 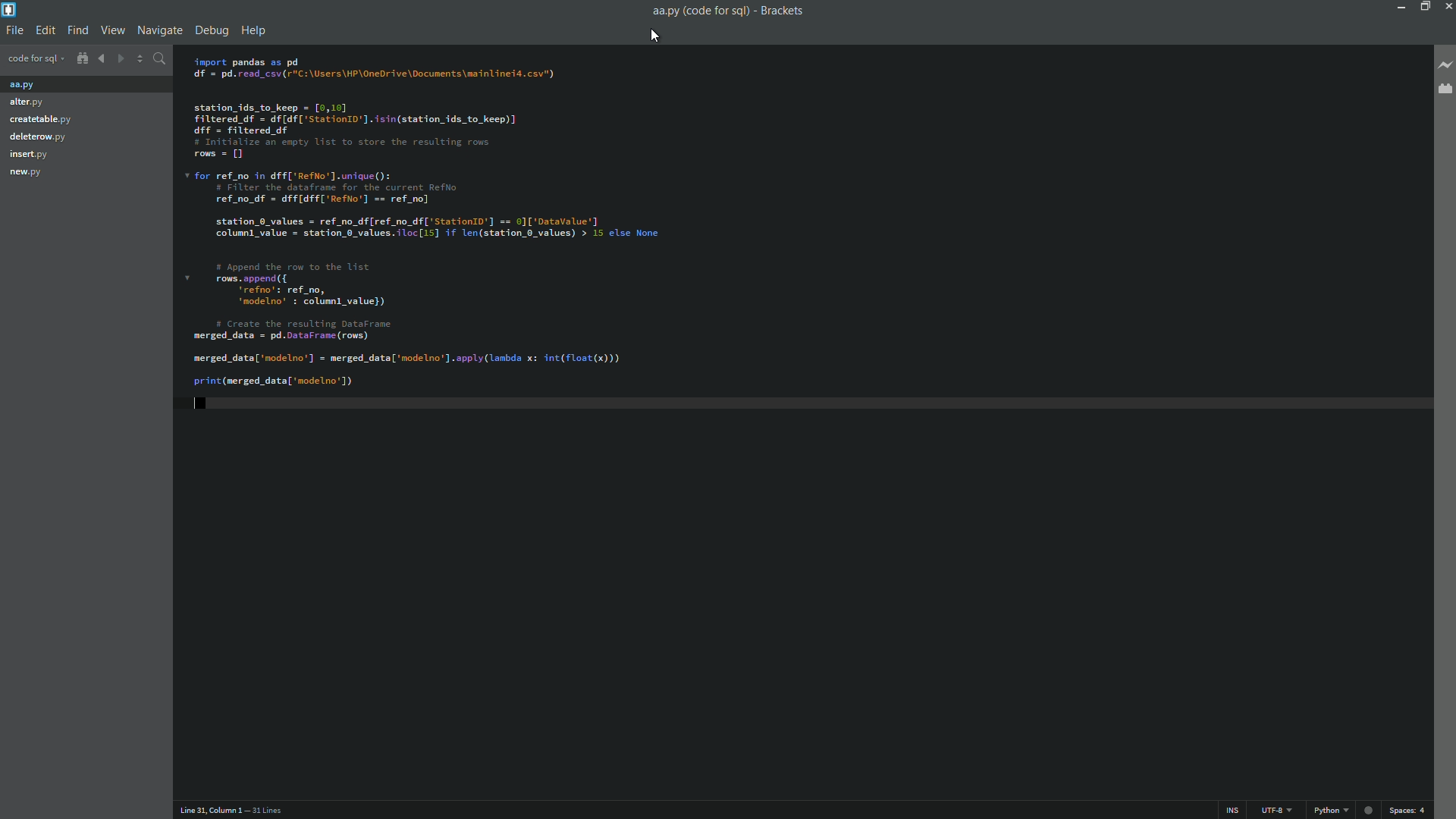 What do you see at coordinates (212, 31) in the screenshot?
I see `debug menu` at bounding box center [212, 31].